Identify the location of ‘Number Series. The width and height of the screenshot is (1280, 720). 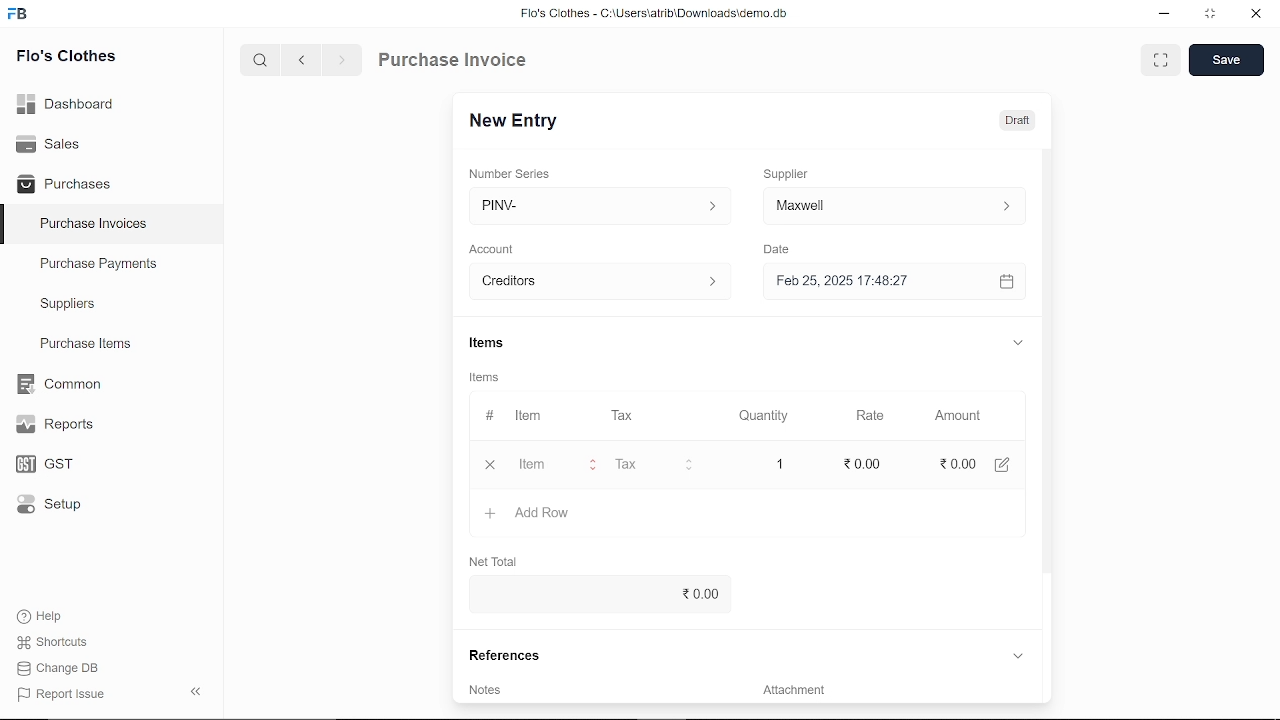
(516, 173).